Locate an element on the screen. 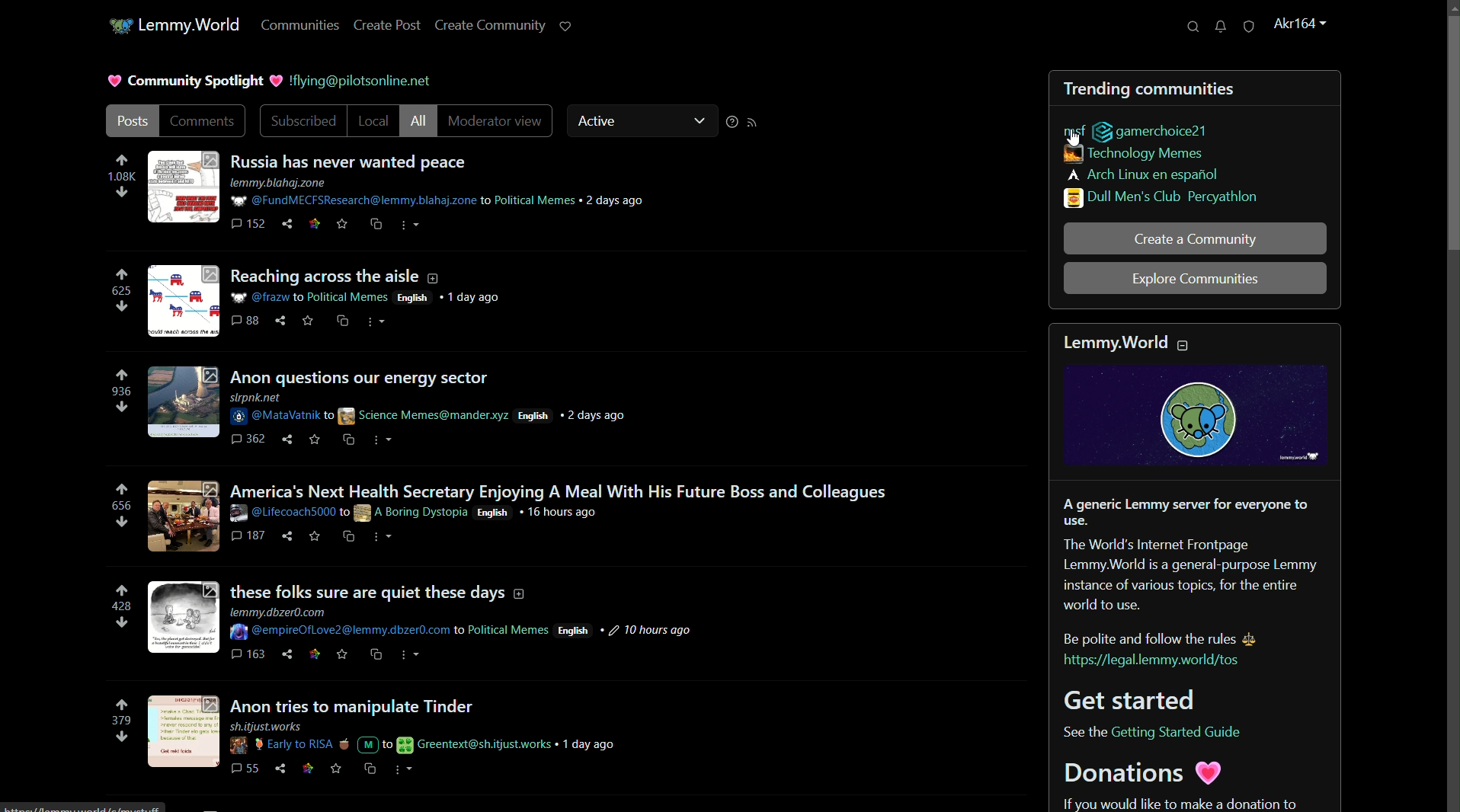 This screenshot has width=1460, height=812. community spotlight is located at coordinates (185, 81).